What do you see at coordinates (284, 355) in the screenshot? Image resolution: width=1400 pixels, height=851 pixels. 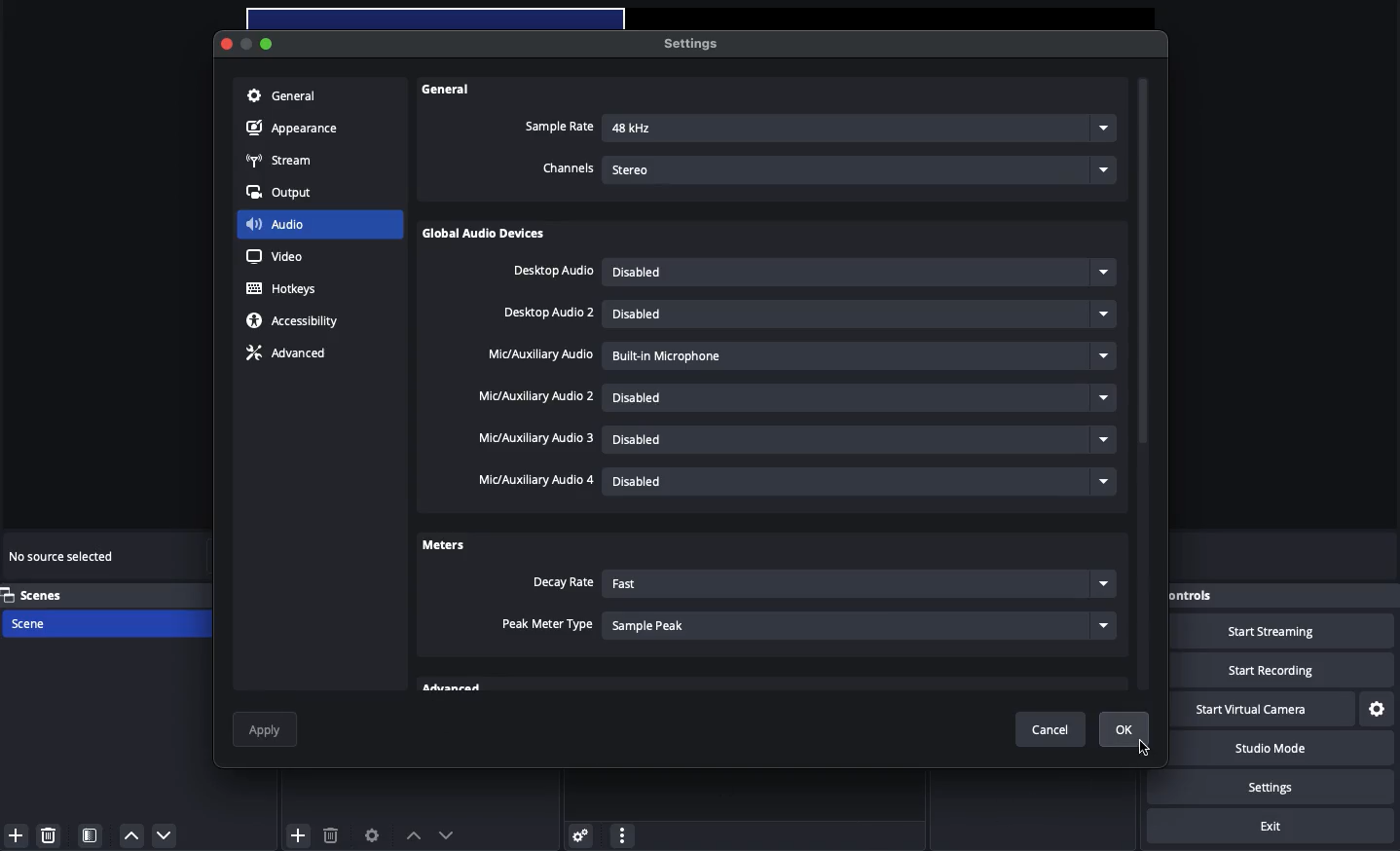 I see `Advanced` at bounding box center [284, 355].